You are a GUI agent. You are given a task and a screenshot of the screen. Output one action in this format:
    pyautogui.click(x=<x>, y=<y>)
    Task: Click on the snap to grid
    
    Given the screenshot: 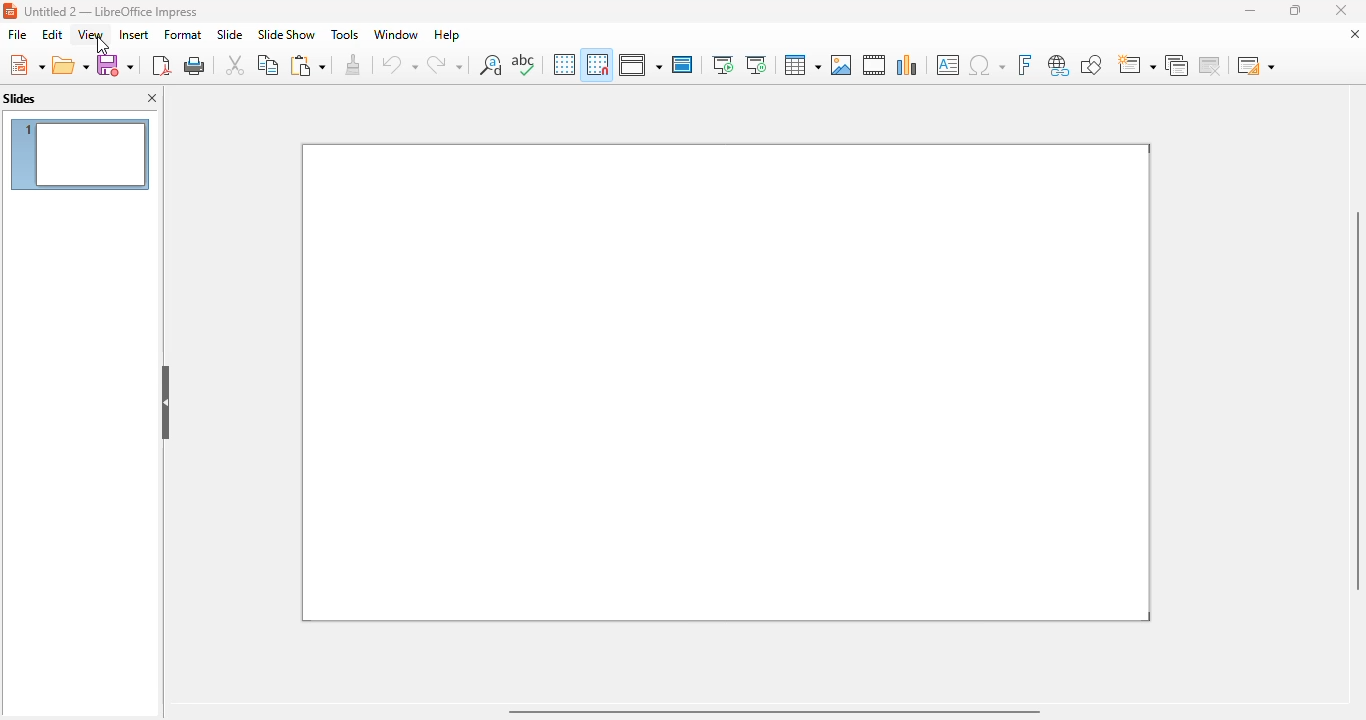 What is the action you would take?
    pyautogui.click(x=597, y=64)
    